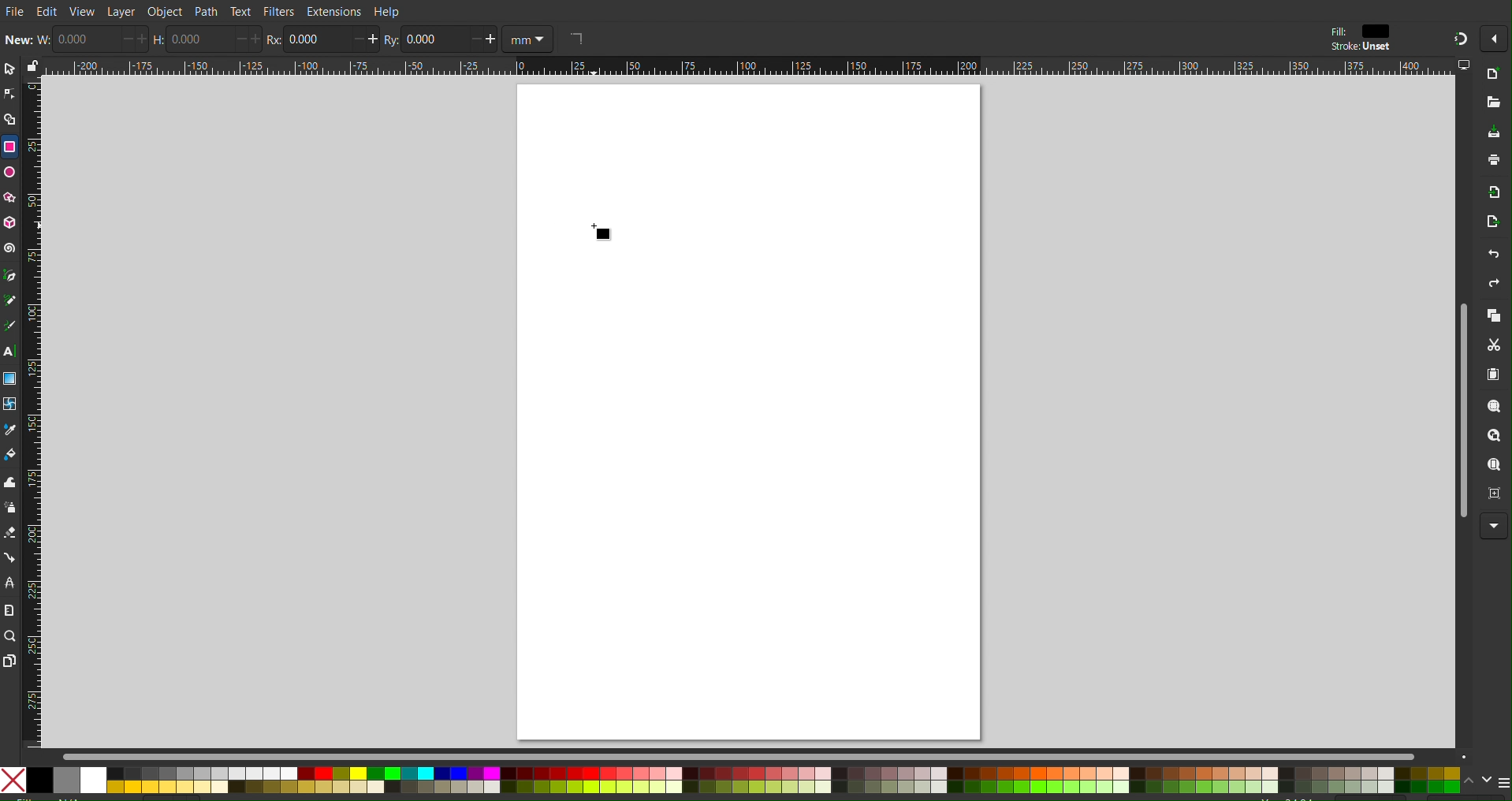 Image resolution: width=1512 pixels, height=801 pixels. Describe the element at coordinates (13, 9) in the screenshot. I see `File` at that location.